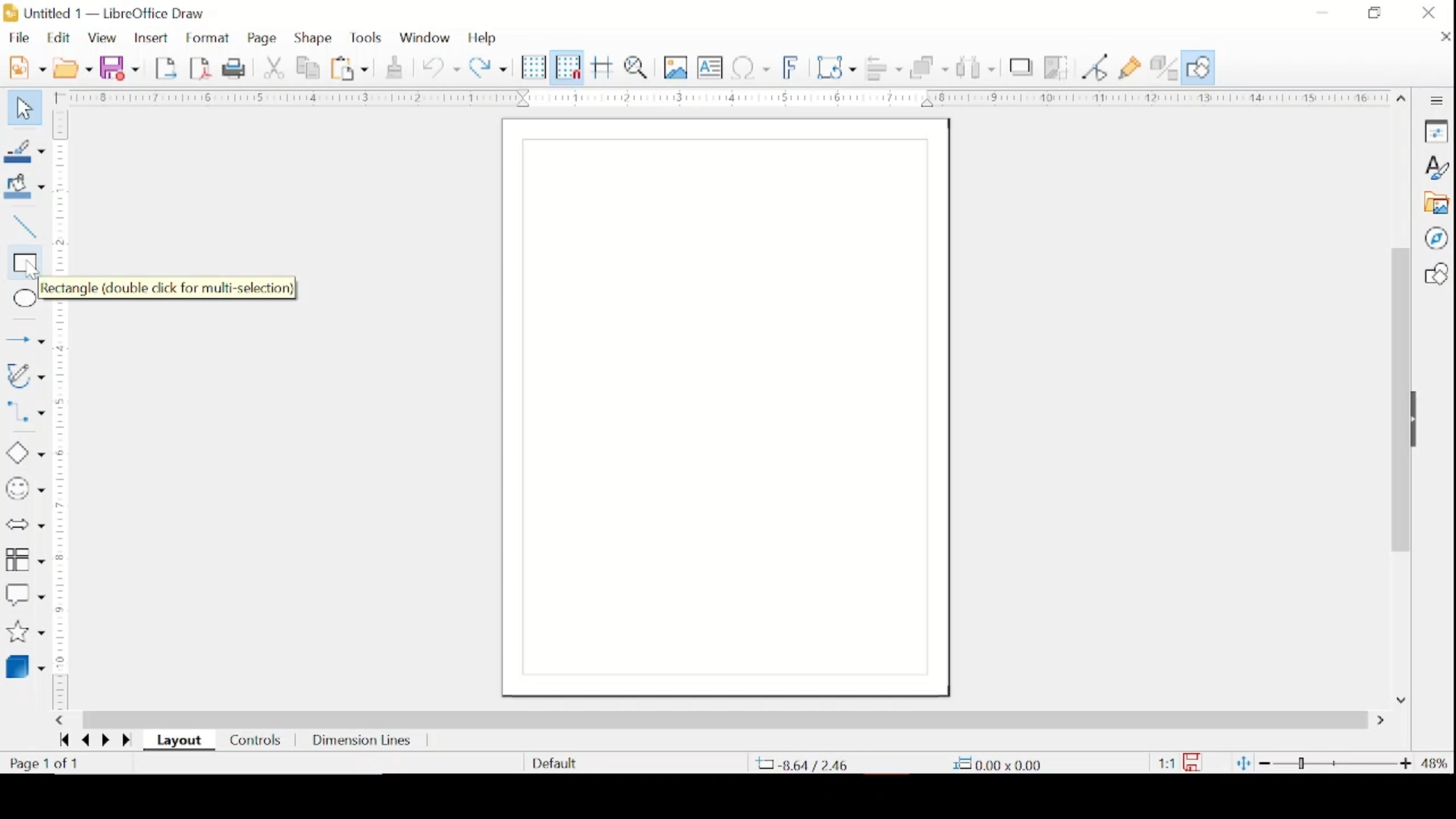  I want to click on previous, so click(83, 741).